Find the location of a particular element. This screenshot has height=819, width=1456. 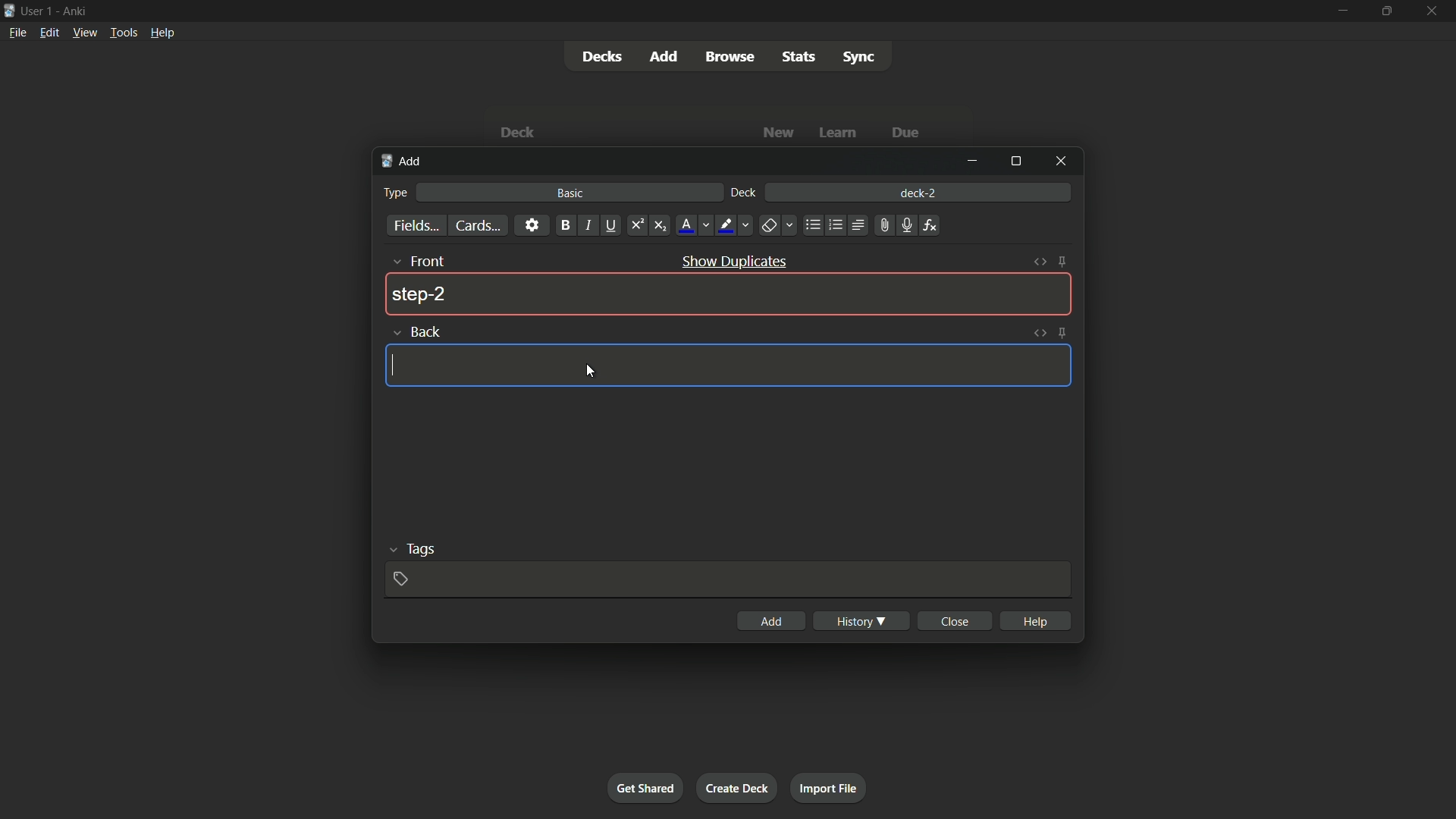

subscript is located at coordinates (660, 226).